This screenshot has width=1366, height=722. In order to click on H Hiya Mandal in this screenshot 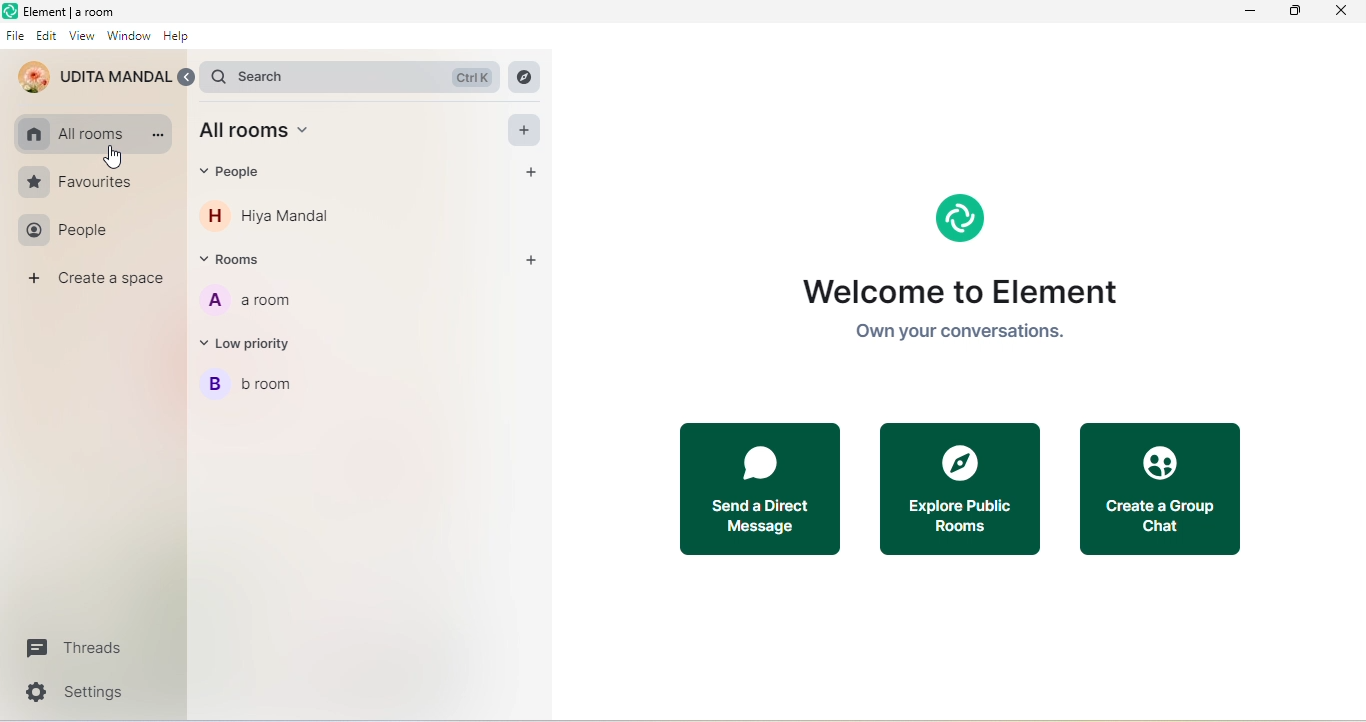, I will do `click(272, 219)`.